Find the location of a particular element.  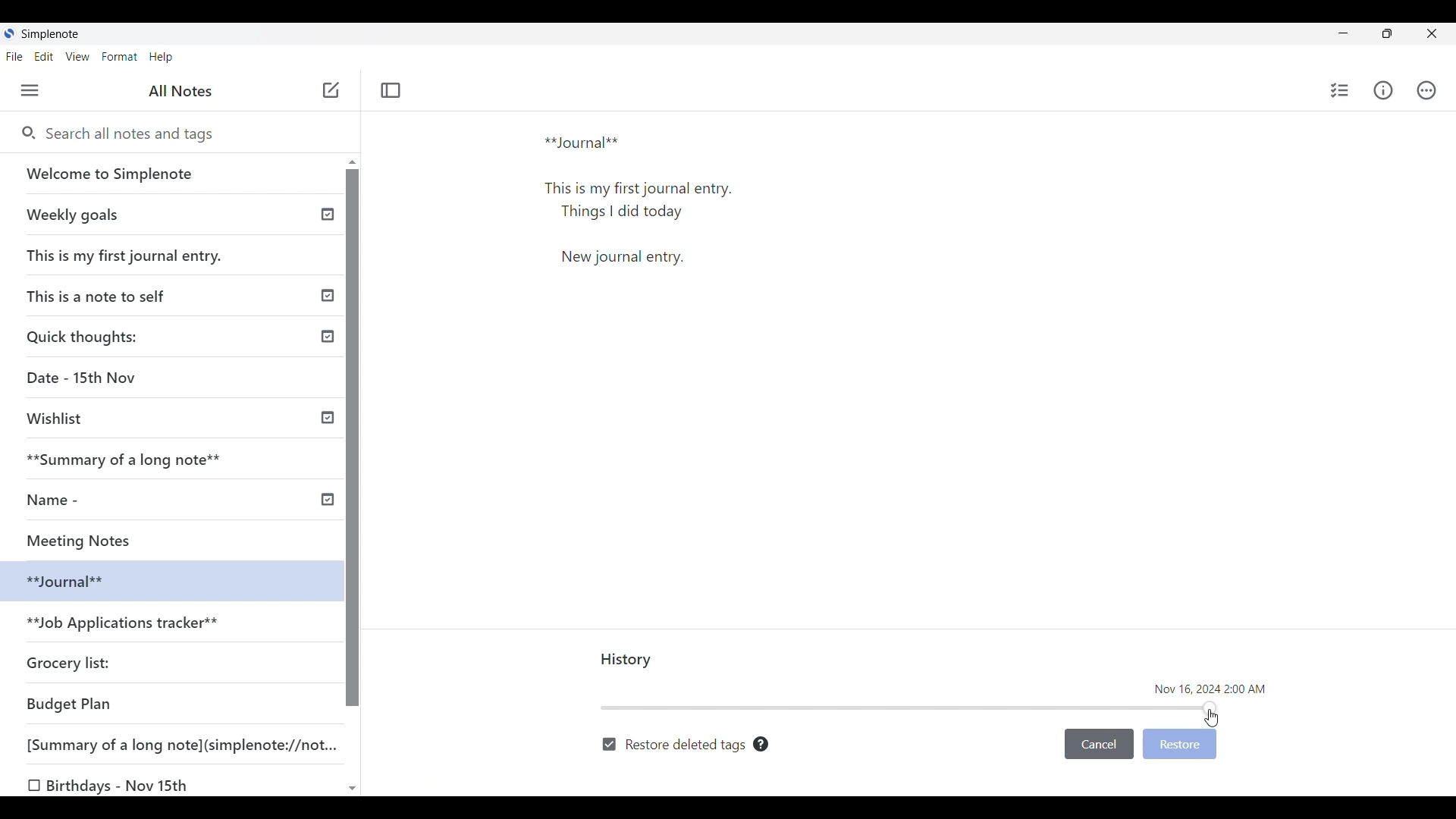

Time and date of current change is located at coordinates (1210, 689).